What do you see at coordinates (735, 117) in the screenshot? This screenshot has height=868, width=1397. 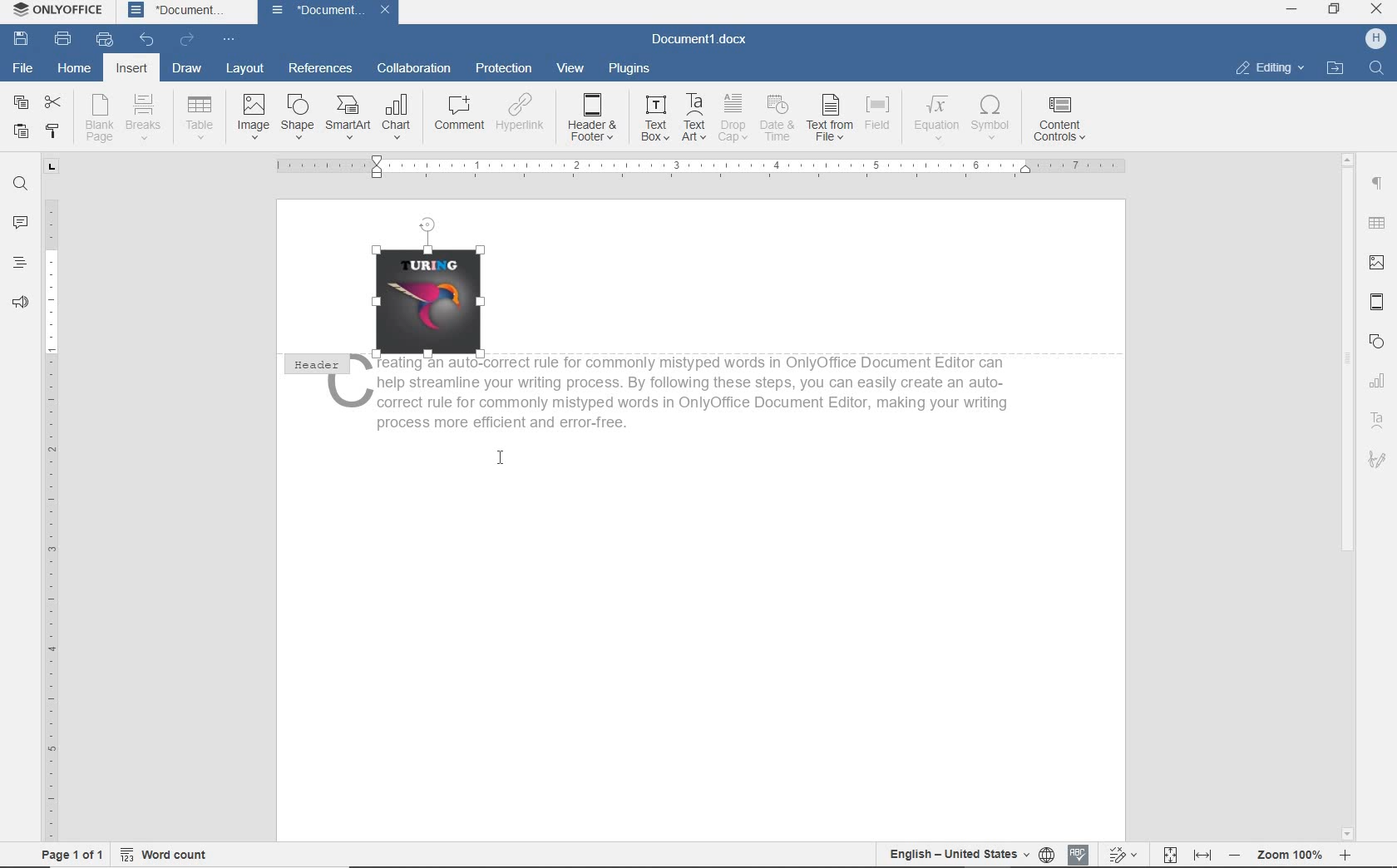 I see `` at bounding box center [735, 117].